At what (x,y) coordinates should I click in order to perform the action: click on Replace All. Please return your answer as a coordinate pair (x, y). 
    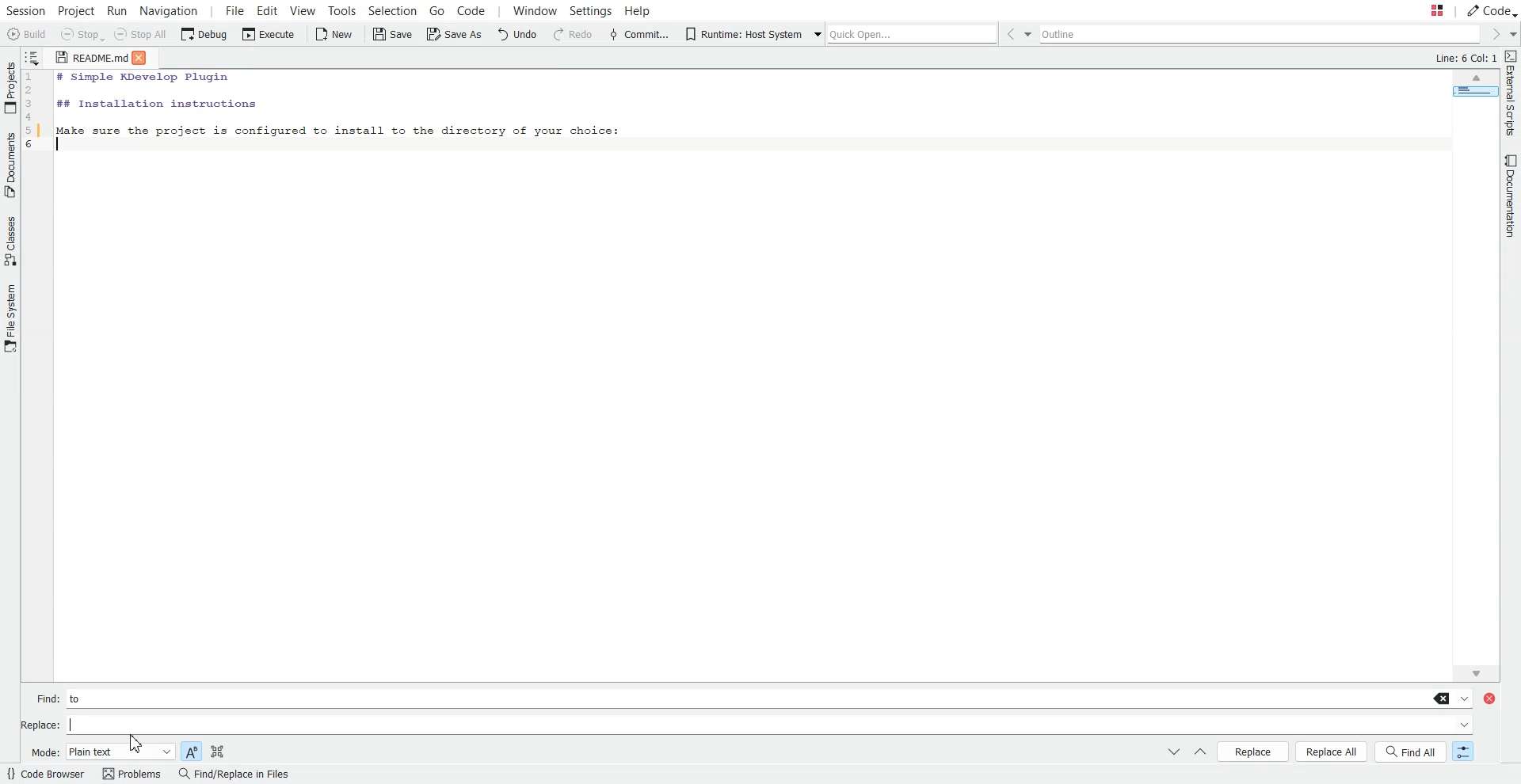
    Looking at the image, I should click on (1332, 752).